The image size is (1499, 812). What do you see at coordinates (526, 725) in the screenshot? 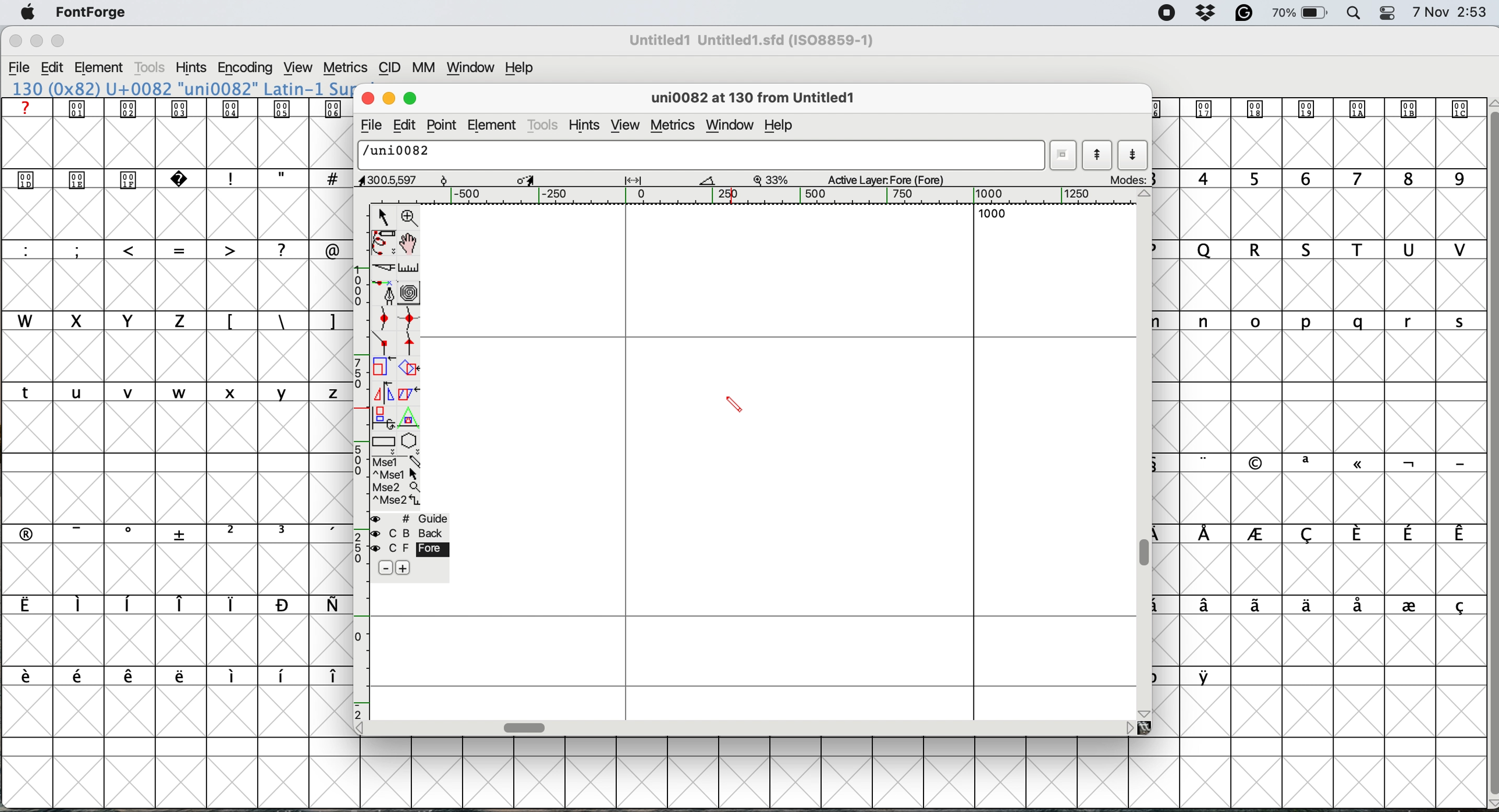
I see `horizontal scale` at bounding box center [526, 725].